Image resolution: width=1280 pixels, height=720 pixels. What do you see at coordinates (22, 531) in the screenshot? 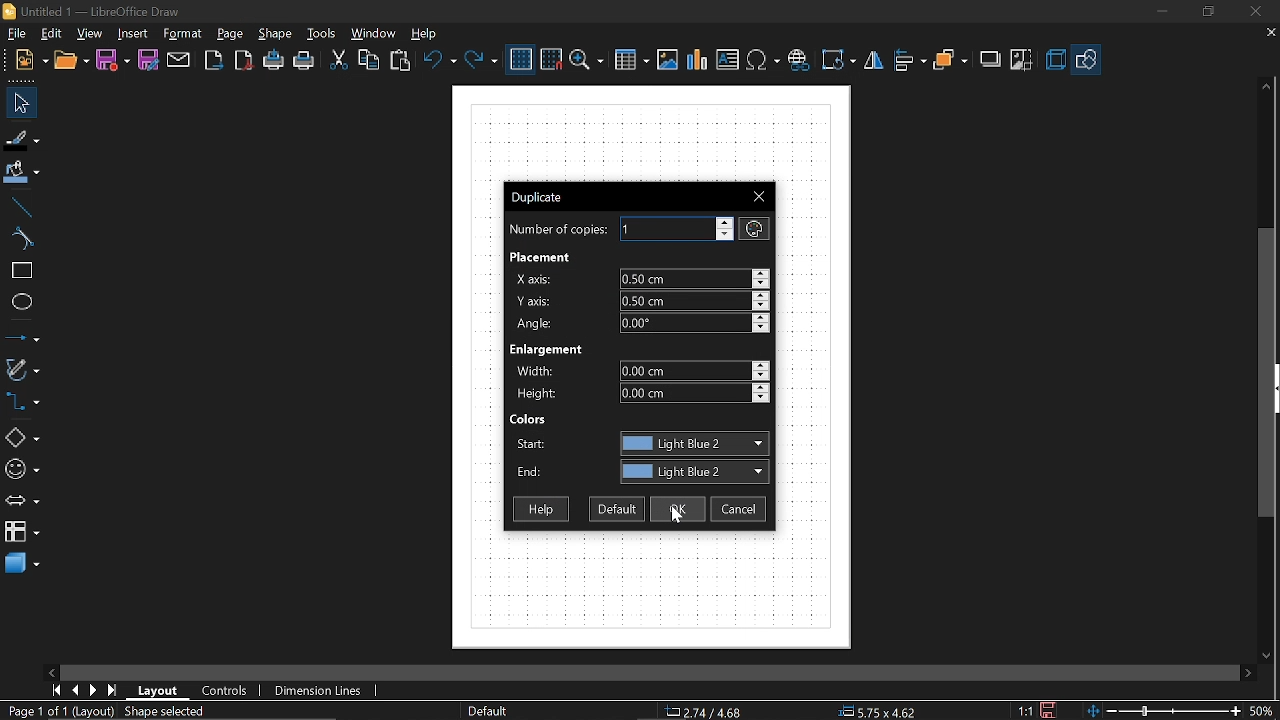
I see `Flowchart` at bounding box center [22, 531].